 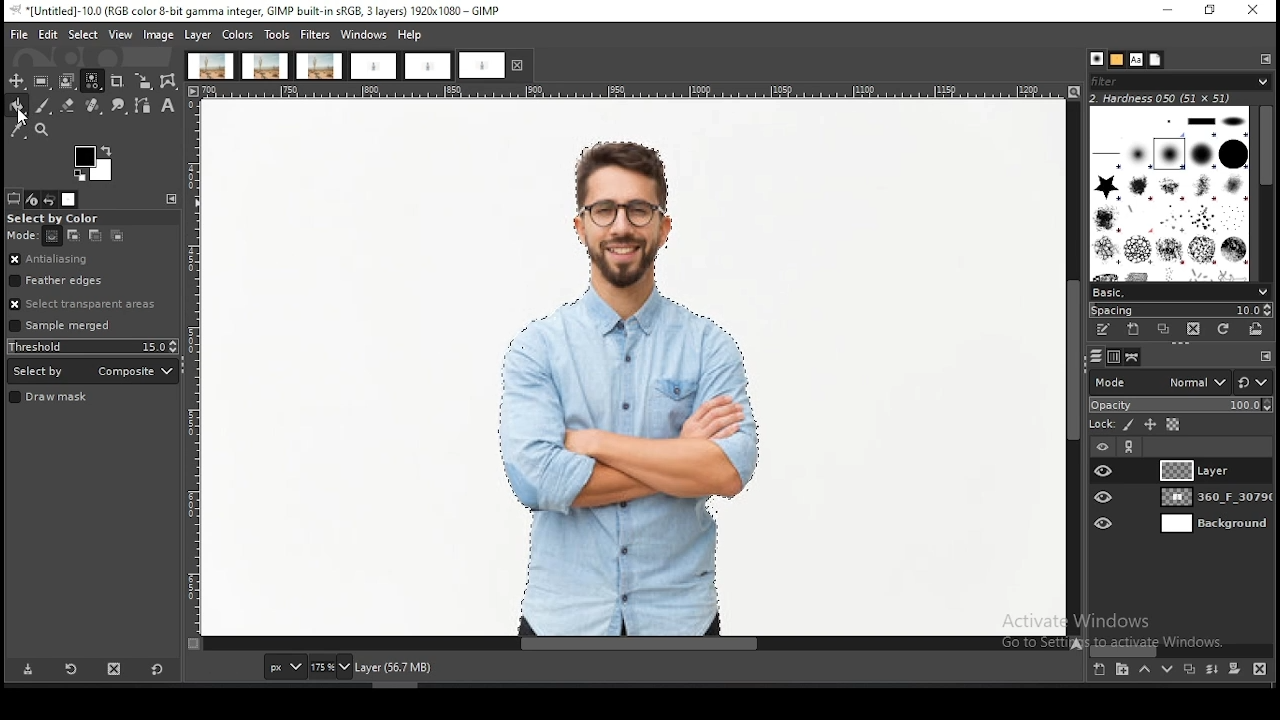 I want to click on replace the current selection, so click(x=54, y=237).